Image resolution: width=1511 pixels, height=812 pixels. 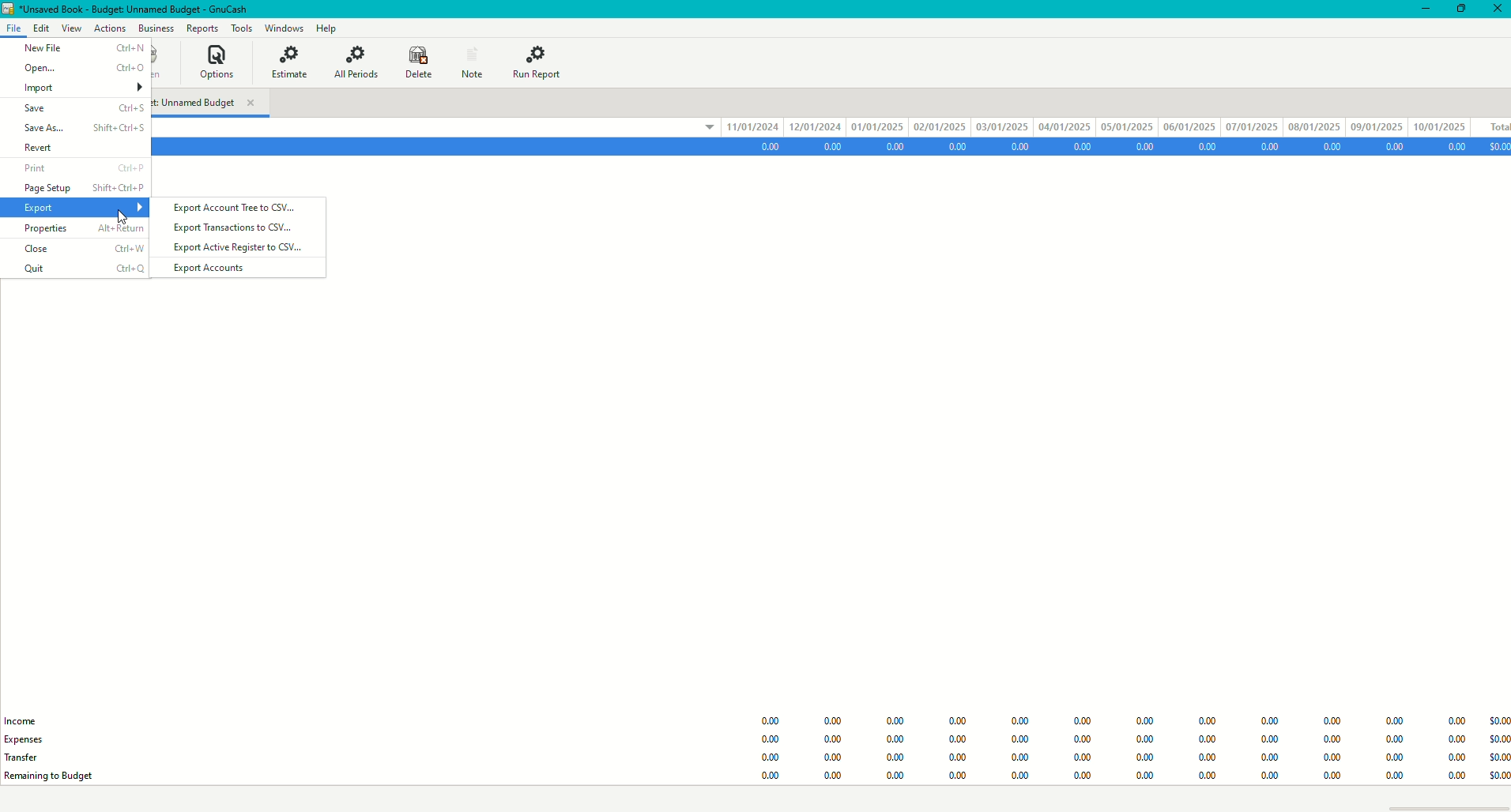 What do you see at coordinates (282, 28) in the screenshot?
I see `Windows` at bounding box center [282, 28].